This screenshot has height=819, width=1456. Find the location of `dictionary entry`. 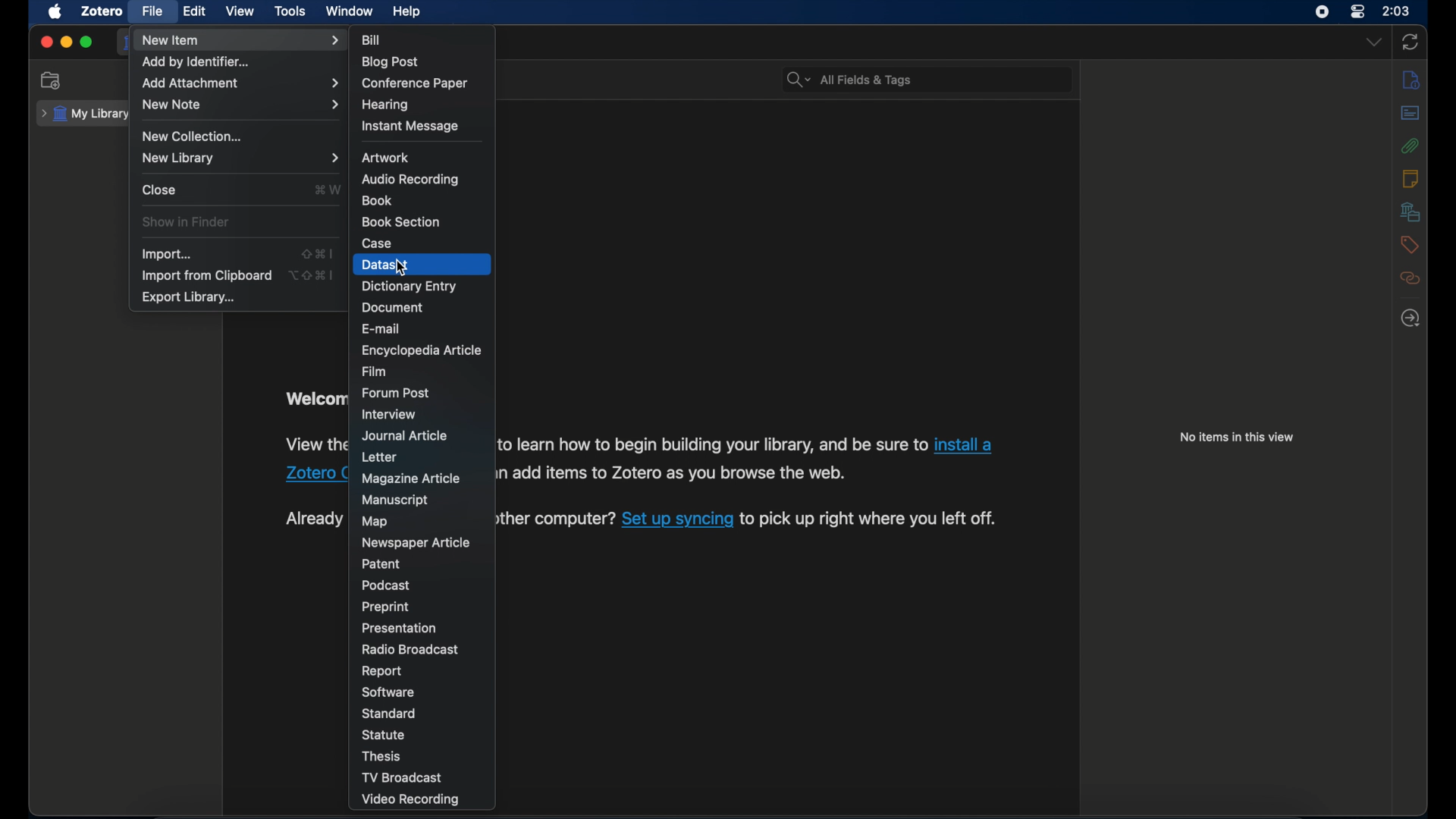

dictionary entry is located at coordinates (409, 287).